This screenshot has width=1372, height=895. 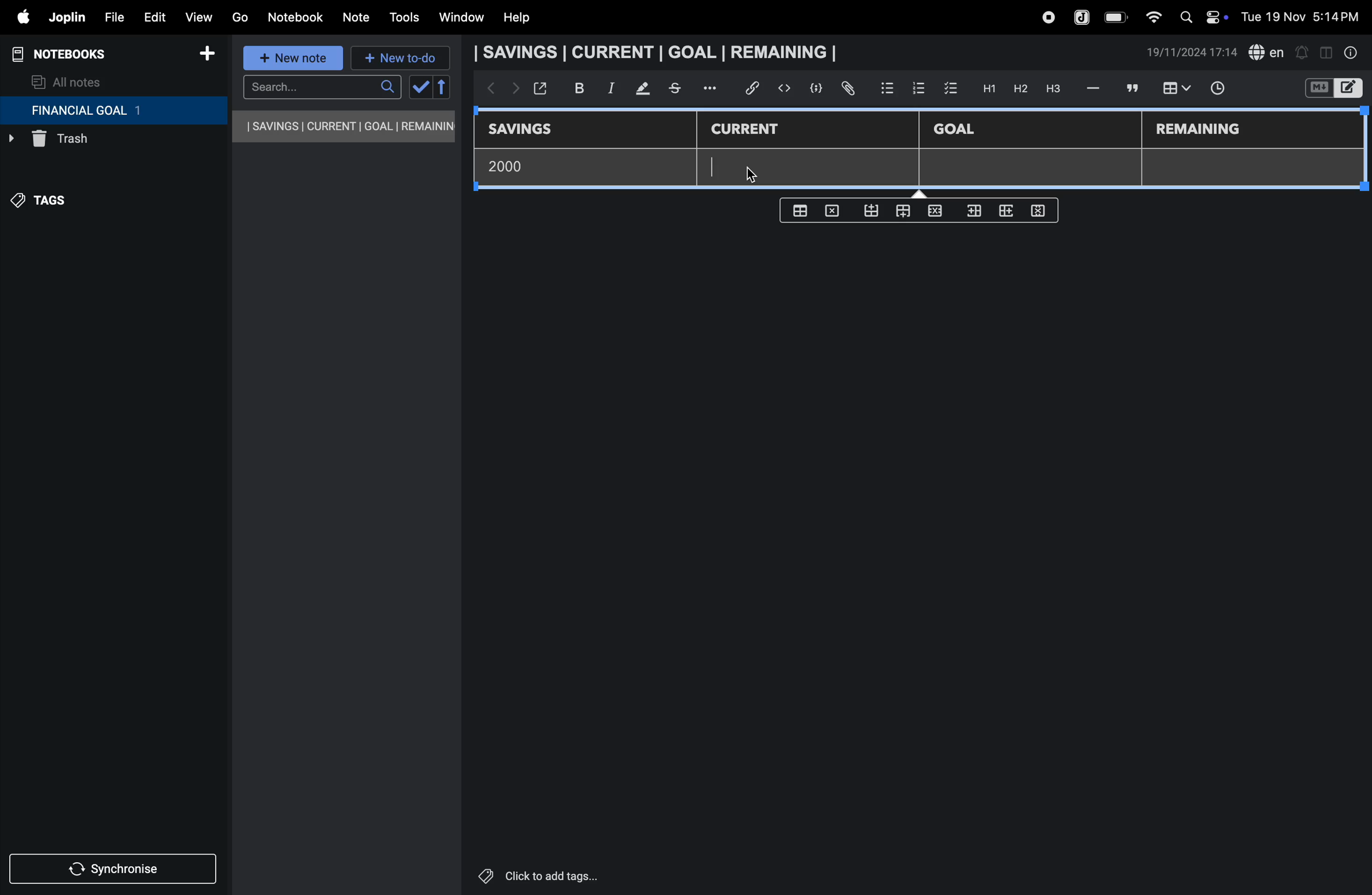 What do you see at coordinates (1019, 88) in the screenshot?
I see `h2` at bounding box center [1019, 88].